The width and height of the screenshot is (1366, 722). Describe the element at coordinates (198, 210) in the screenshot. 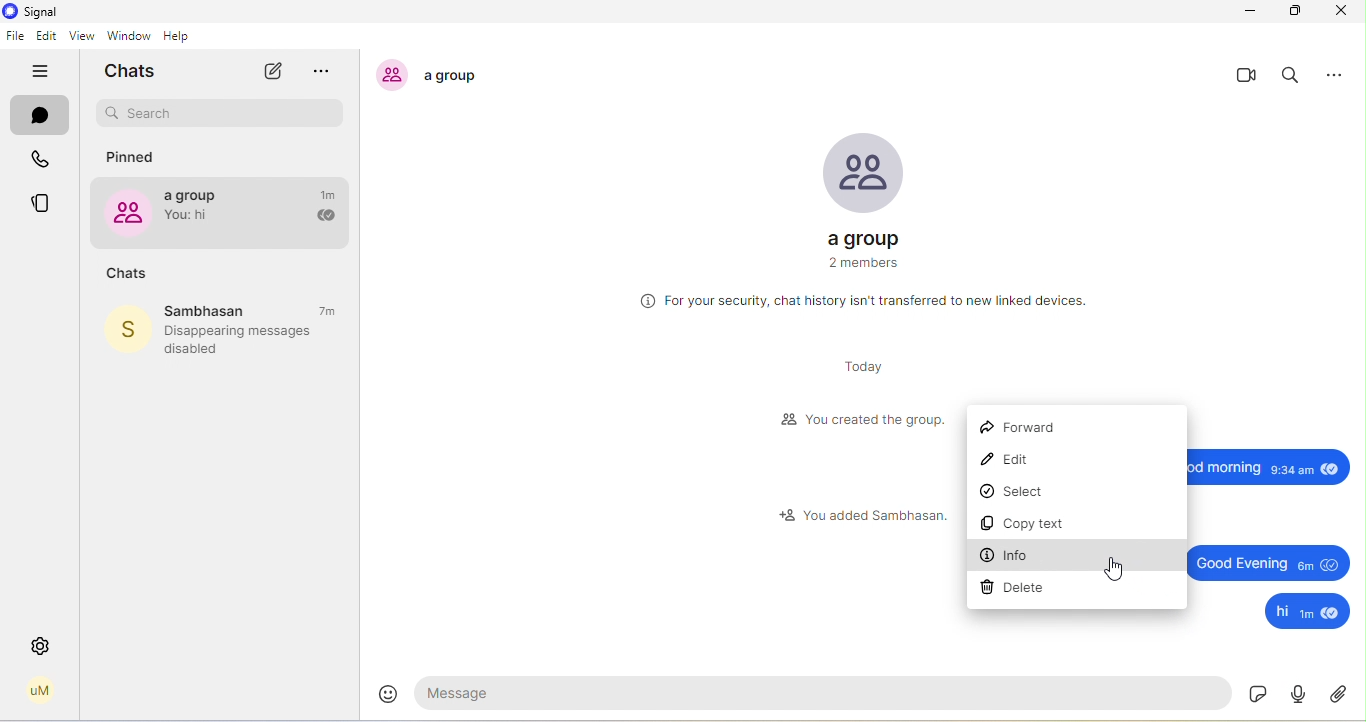

I see `a group` at that location.